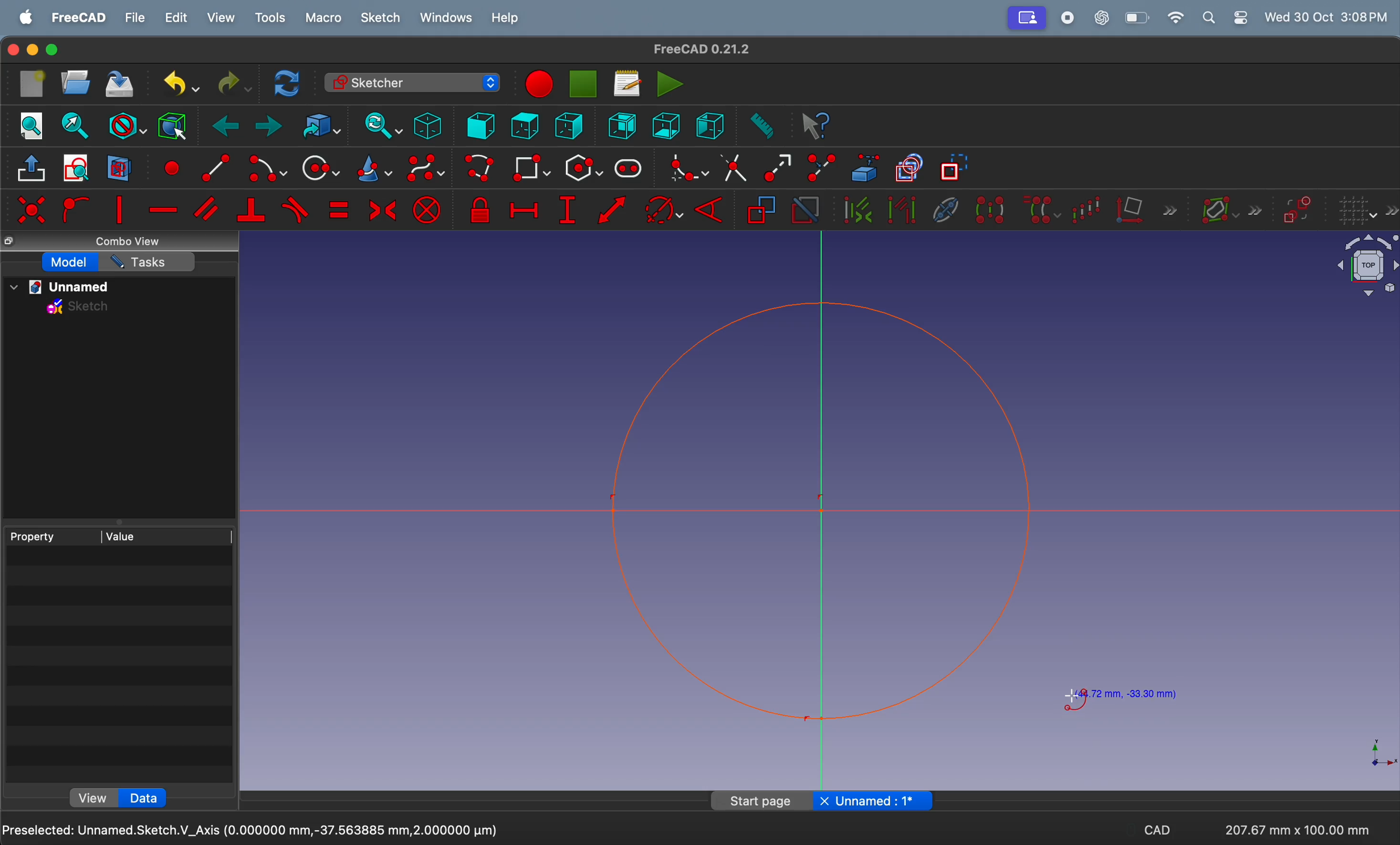 This screenshot has width=1400, height=845. Describe the element at coordinates (172, 125) in the screenshot. I see `bounding box` at that location.